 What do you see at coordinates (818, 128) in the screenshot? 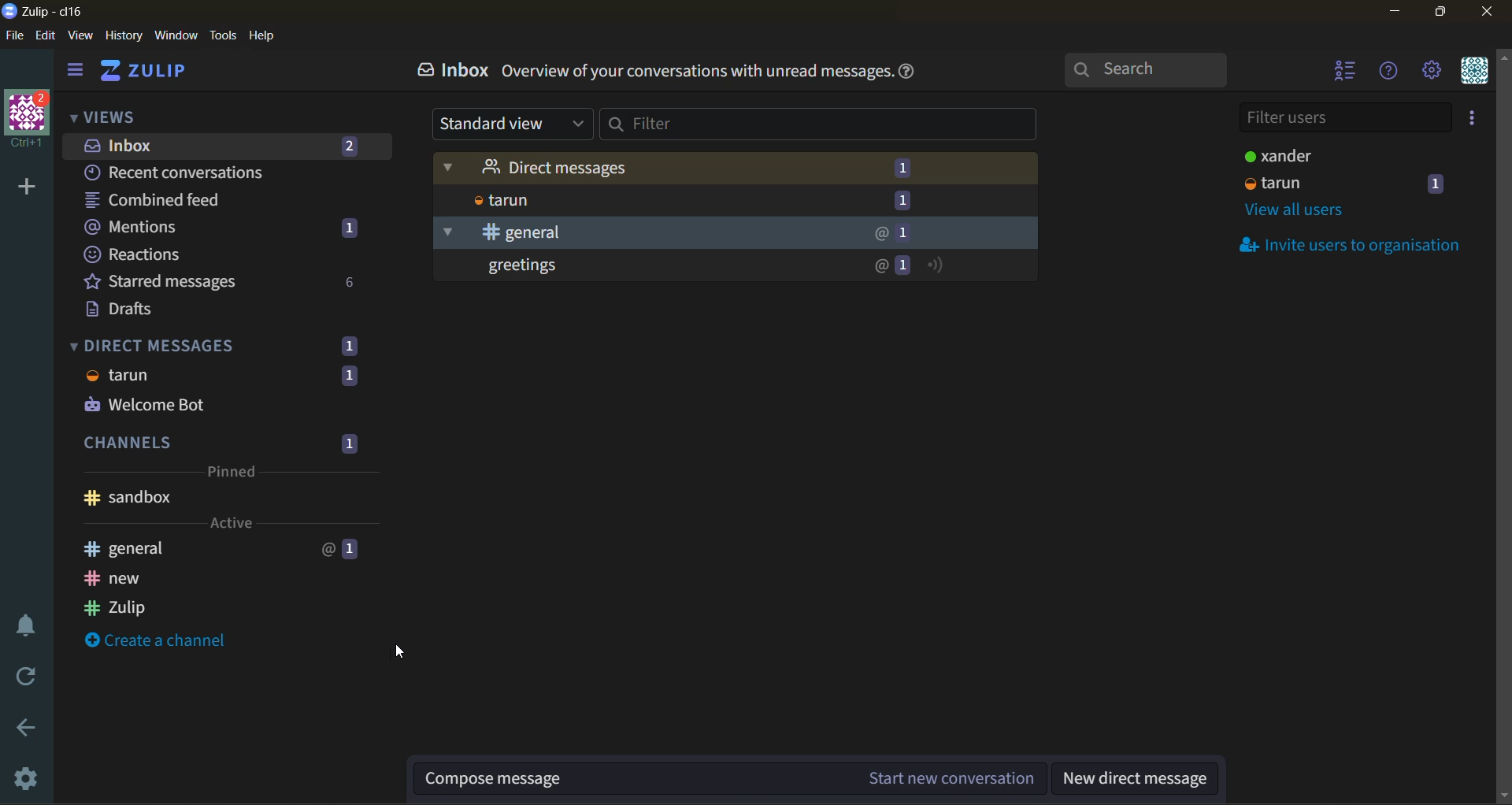
I see `filter` at bounding box center [818, 128].